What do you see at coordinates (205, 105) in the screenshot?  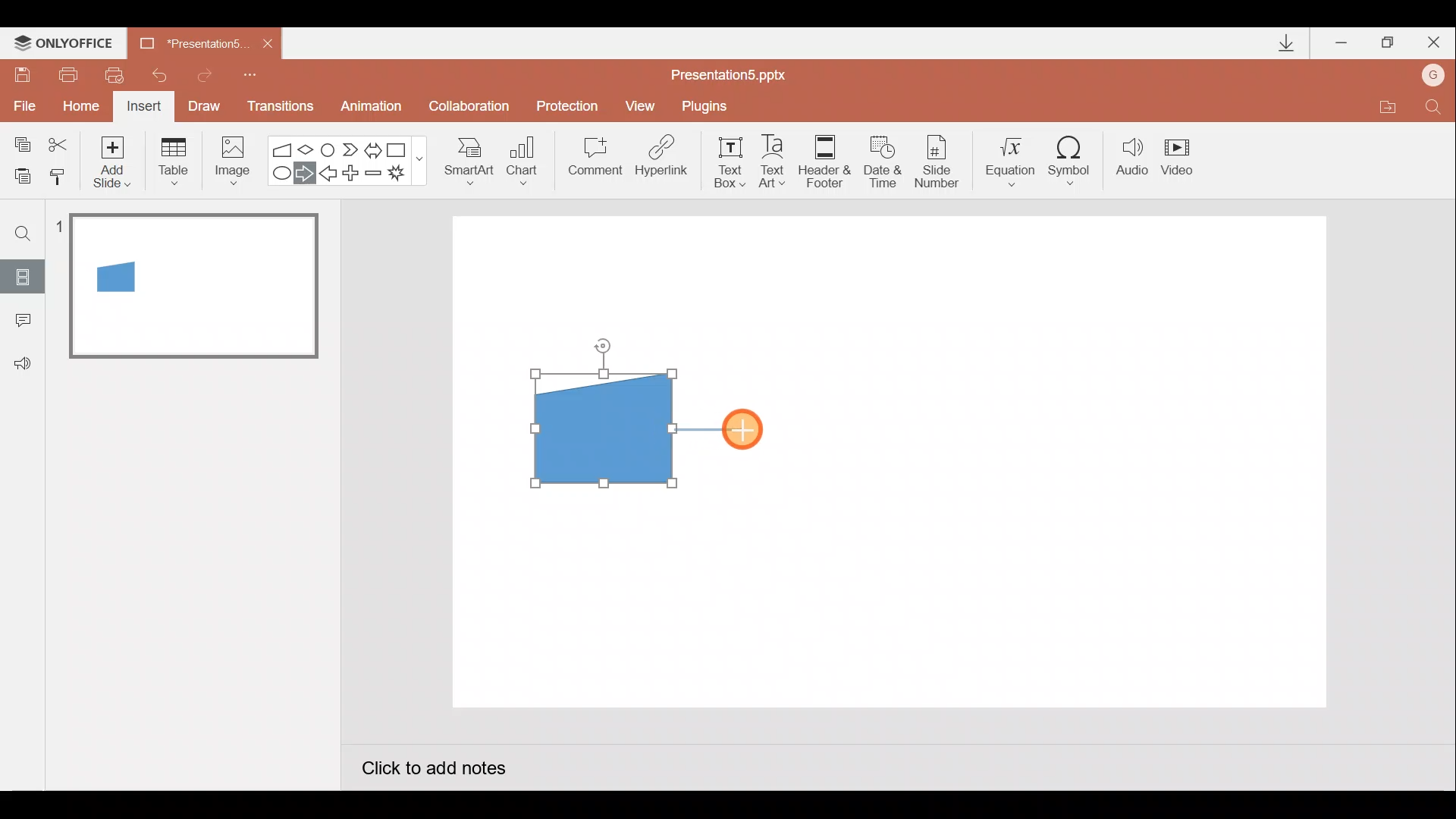 I see `Draw` at bounding box center [205, 105].